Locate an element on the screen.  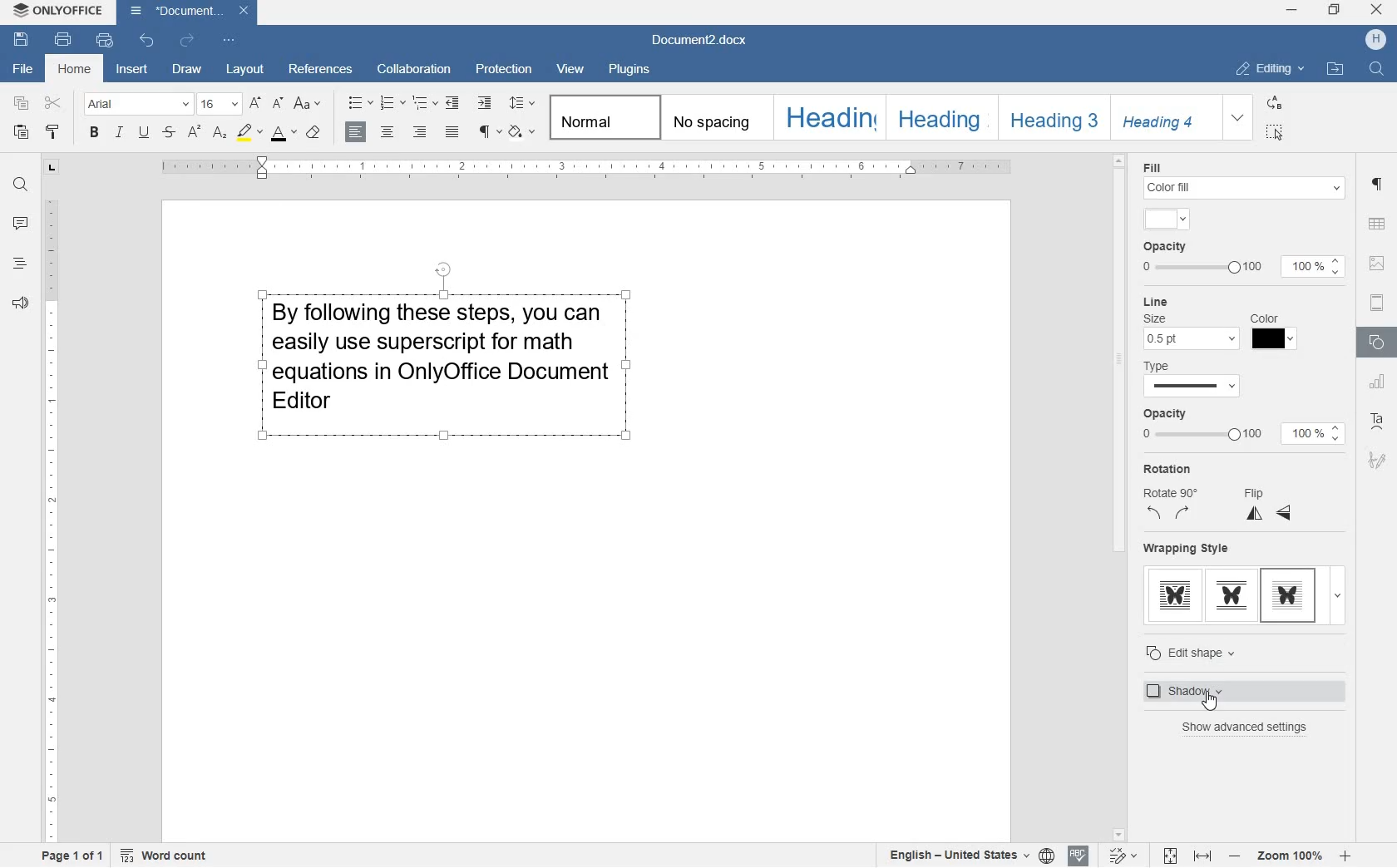
headlines is located at coordinates (20, 267).